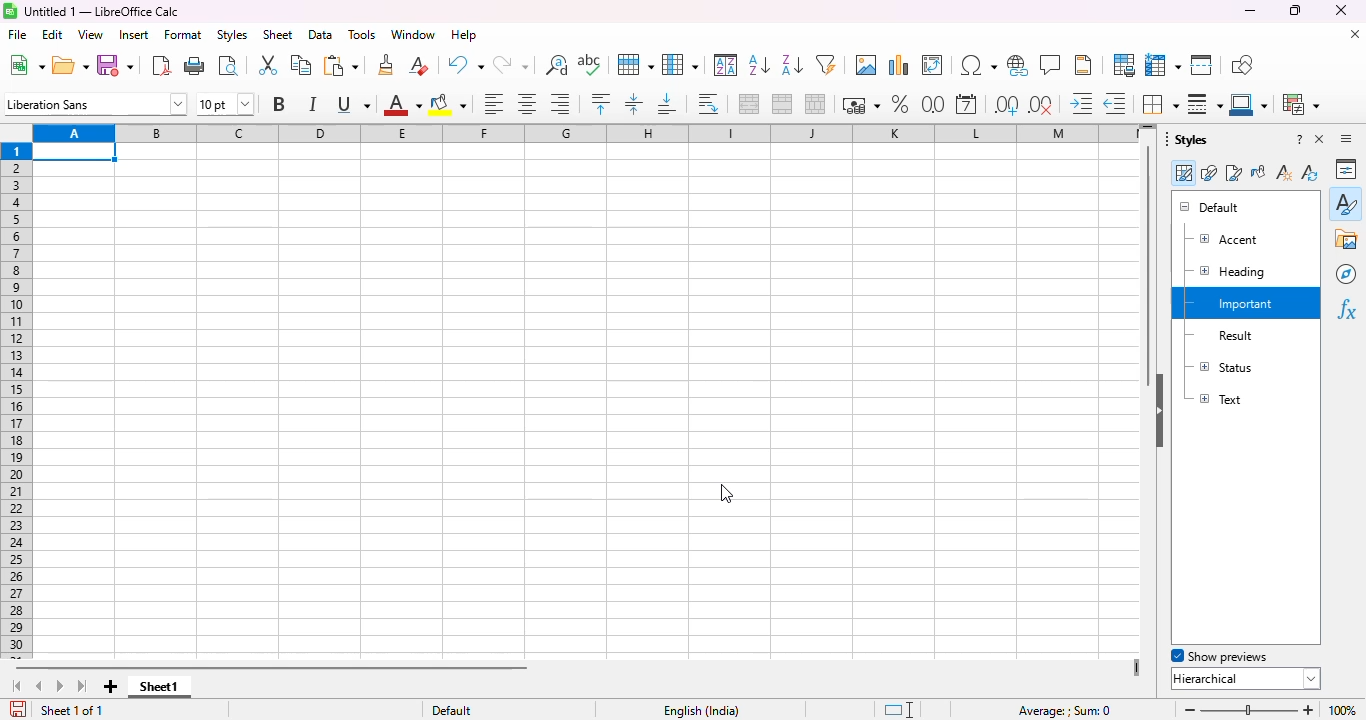 This screenshot has width=1366, height=720. I want to click on toggle print preview, so click(228, 65).